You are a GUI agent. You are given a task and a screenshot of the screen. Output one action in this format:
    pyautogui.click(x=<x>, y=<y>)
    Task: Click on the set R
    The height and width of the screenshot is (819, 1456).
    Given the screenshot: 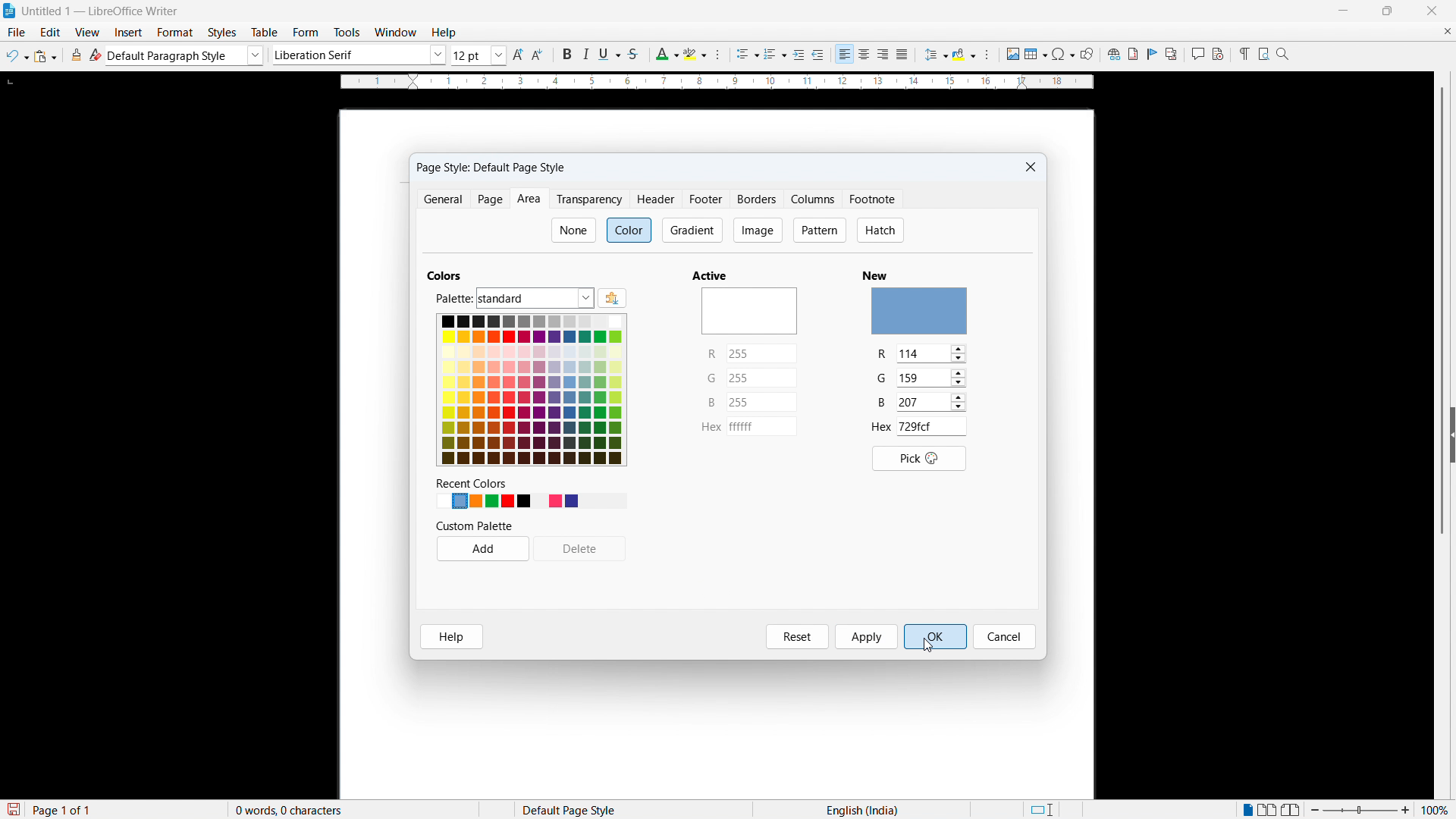 What is the action you would take?
    pyautogui.click(x=761, y=353)
    